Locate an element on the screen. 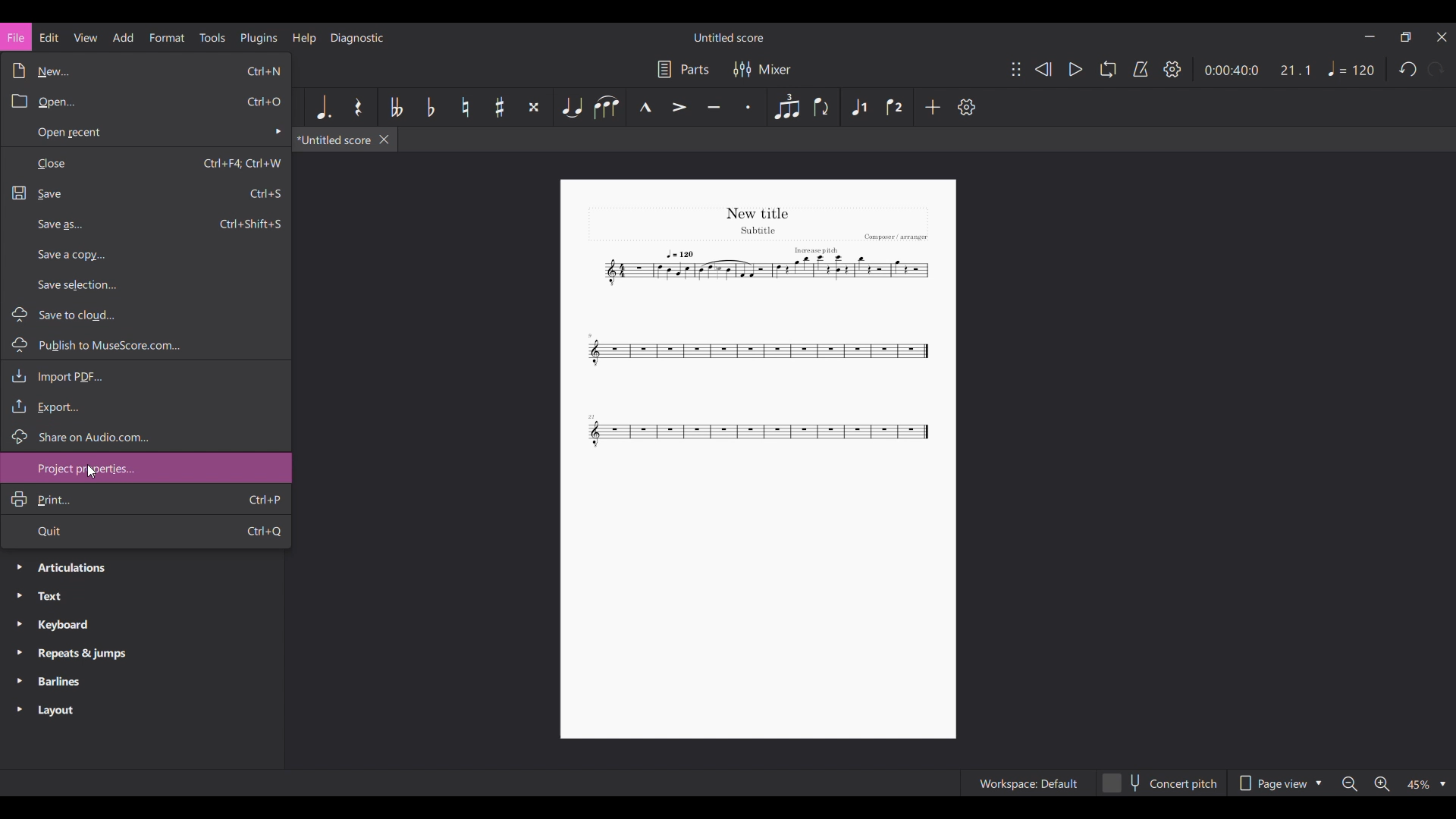  Voice 1 is located at coordinates (858, 107).